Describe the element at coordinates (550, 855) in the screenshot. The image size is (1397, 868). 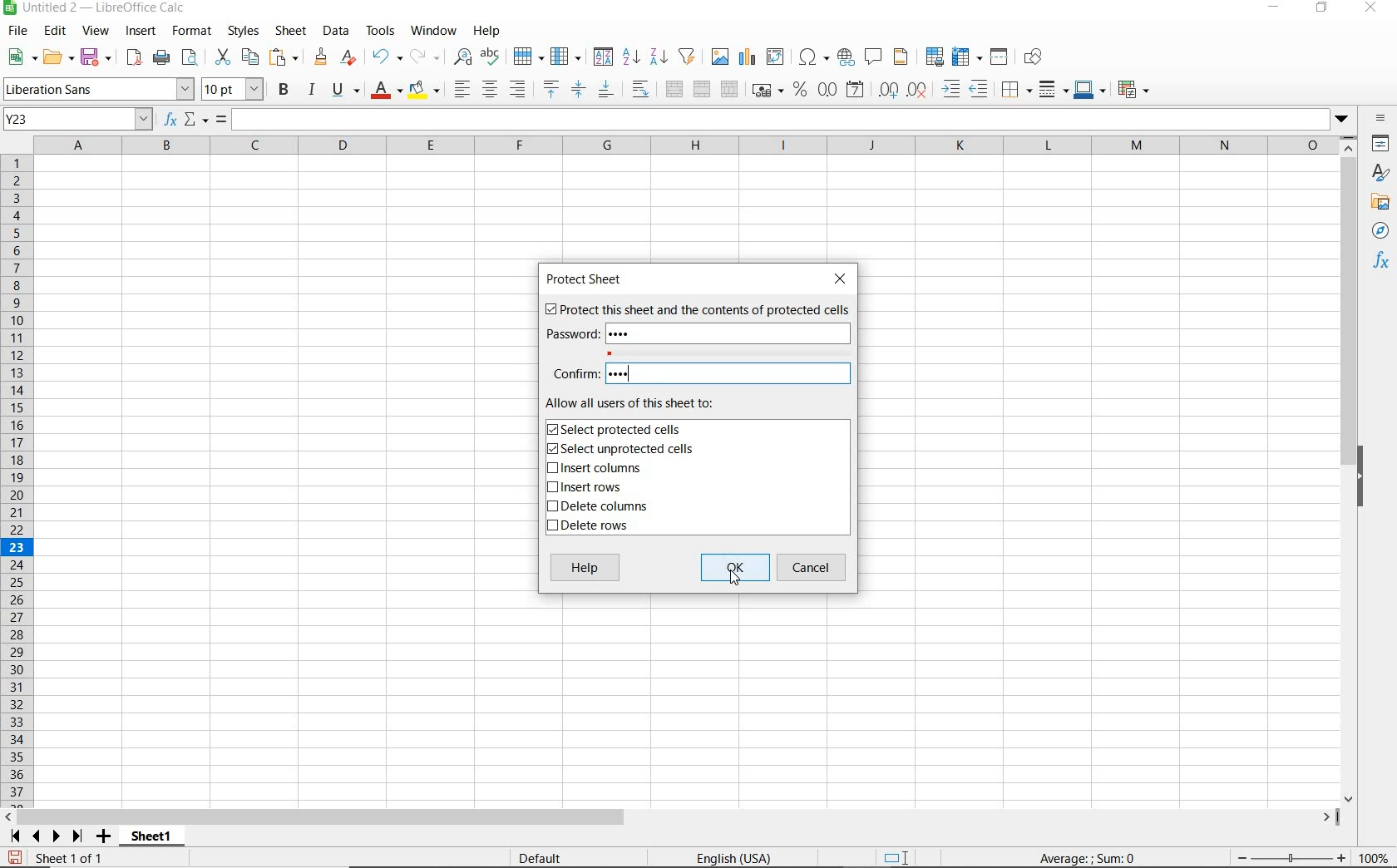
I see `Default` at that location.